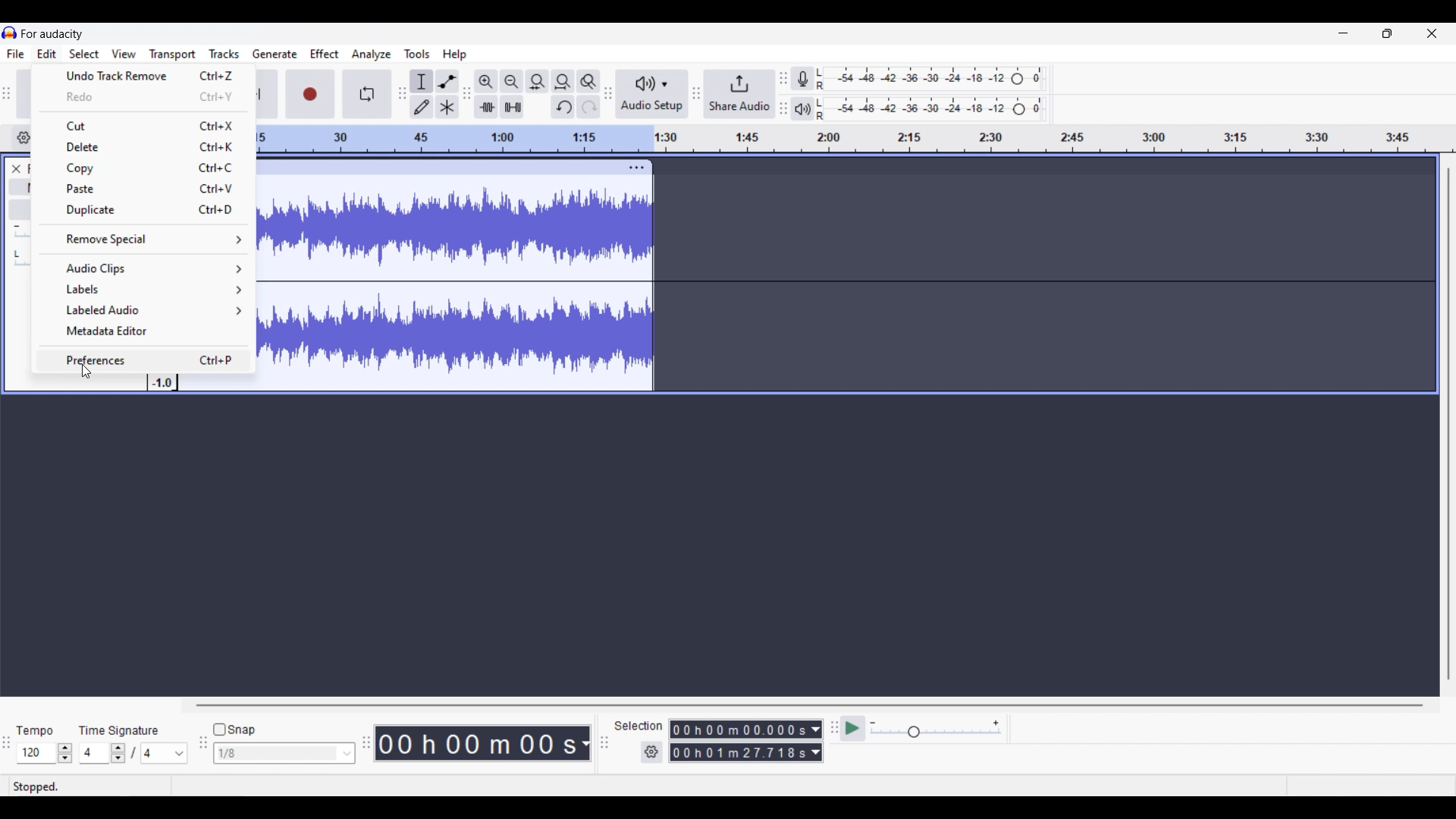 This screenshot has height=819, width=1456. I want to click on Playback level, so click(930, 109).